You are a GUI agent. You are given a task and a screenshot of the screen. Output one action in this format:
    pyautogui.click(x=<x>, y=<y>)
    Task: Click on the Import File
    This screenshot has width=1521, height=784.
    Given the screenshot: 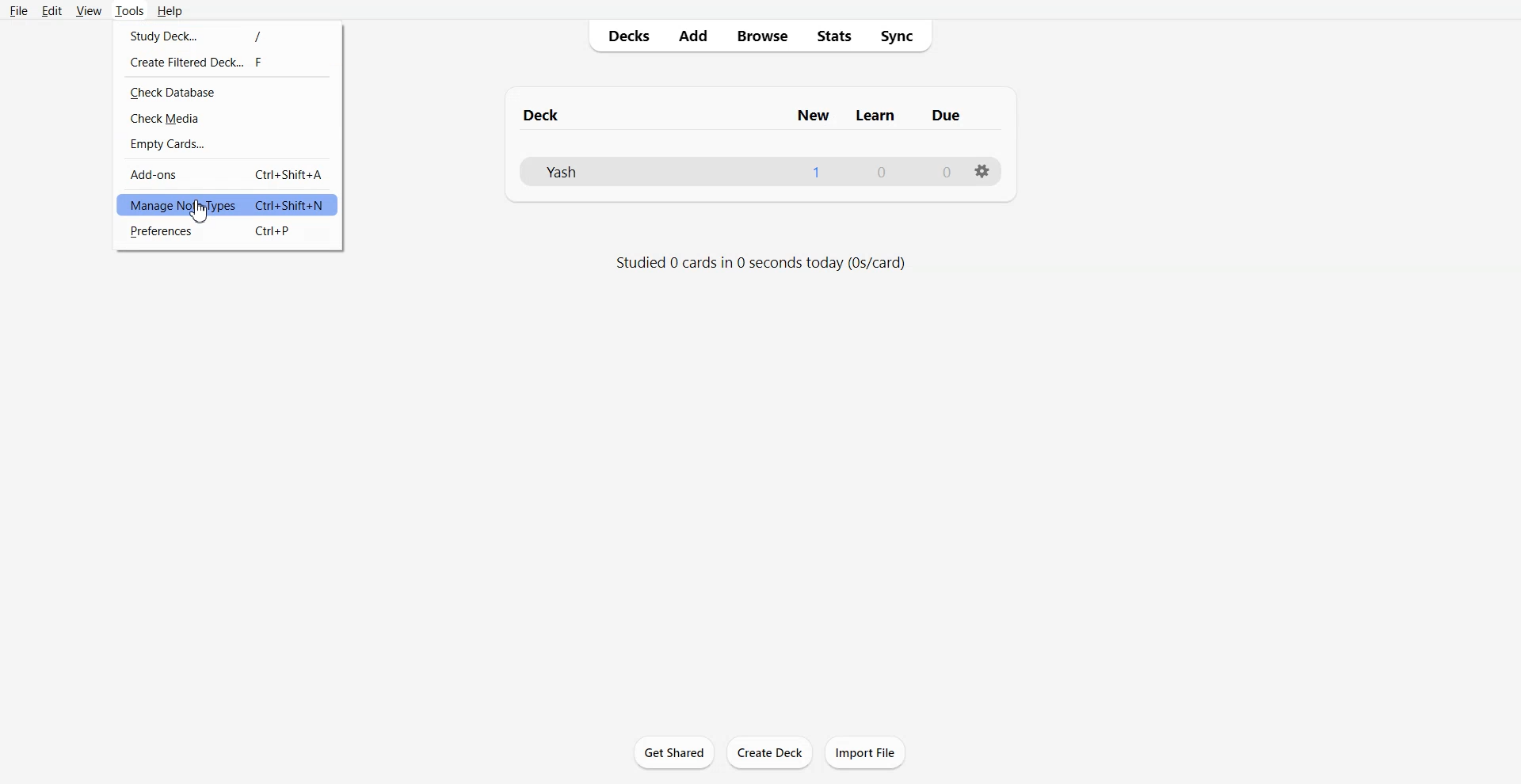 What is the action you would take?
    pyautogui.click(x=865, y=752)
    